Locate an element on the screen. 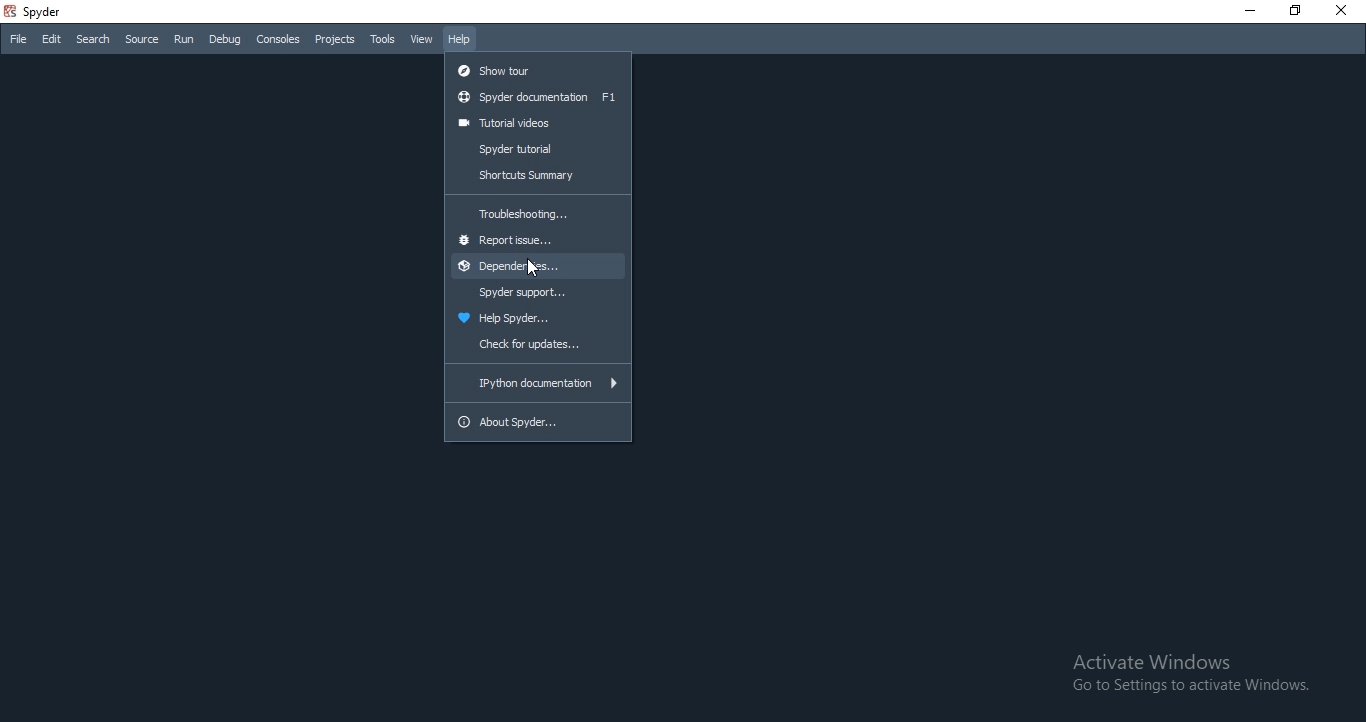 The height and width of the screenshot is (722, 1366). Tools is located at coordinates (383, 39).